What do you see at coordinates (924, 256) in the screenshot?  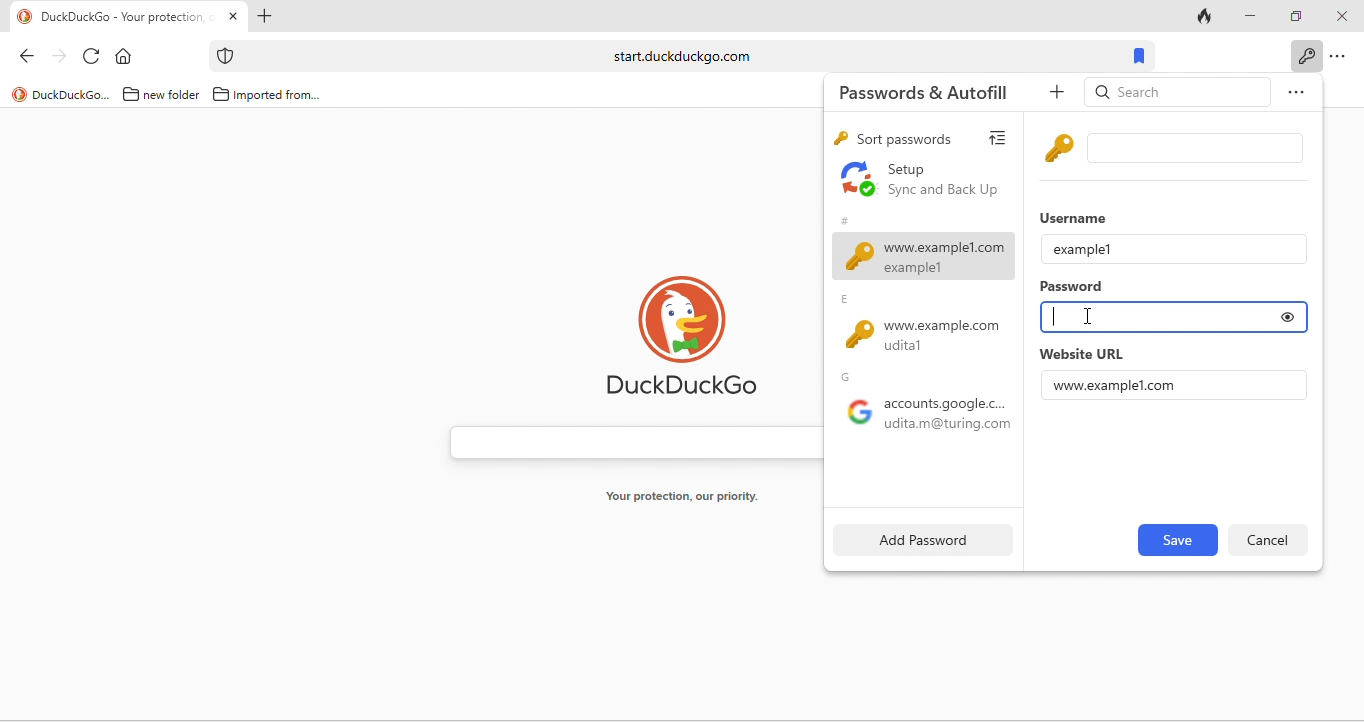 I see `www.example1.com` at bounding box center [924, 256].